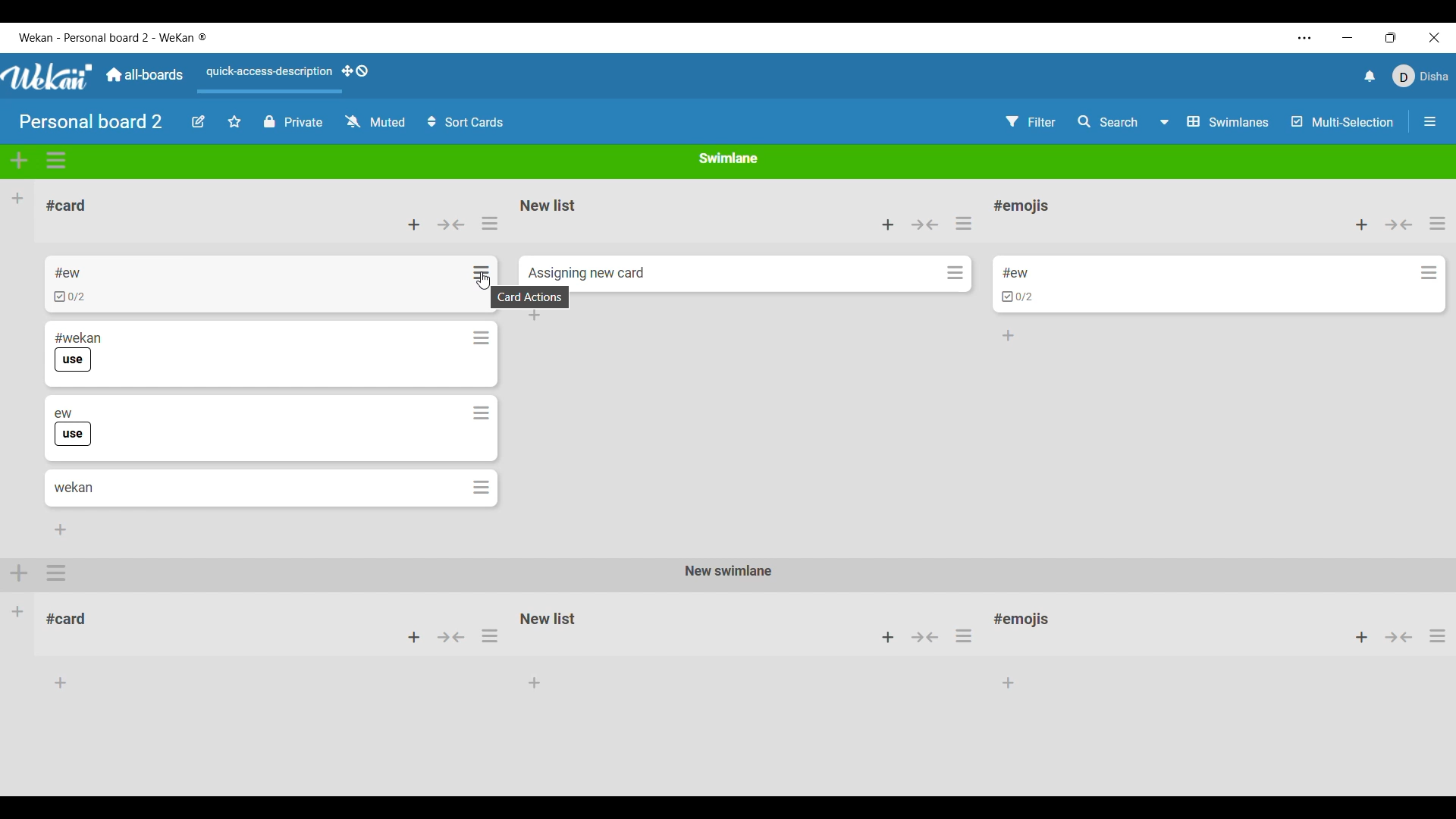 The image size is (1456, 819). I want to click on Change watch options, so click(375, 121).